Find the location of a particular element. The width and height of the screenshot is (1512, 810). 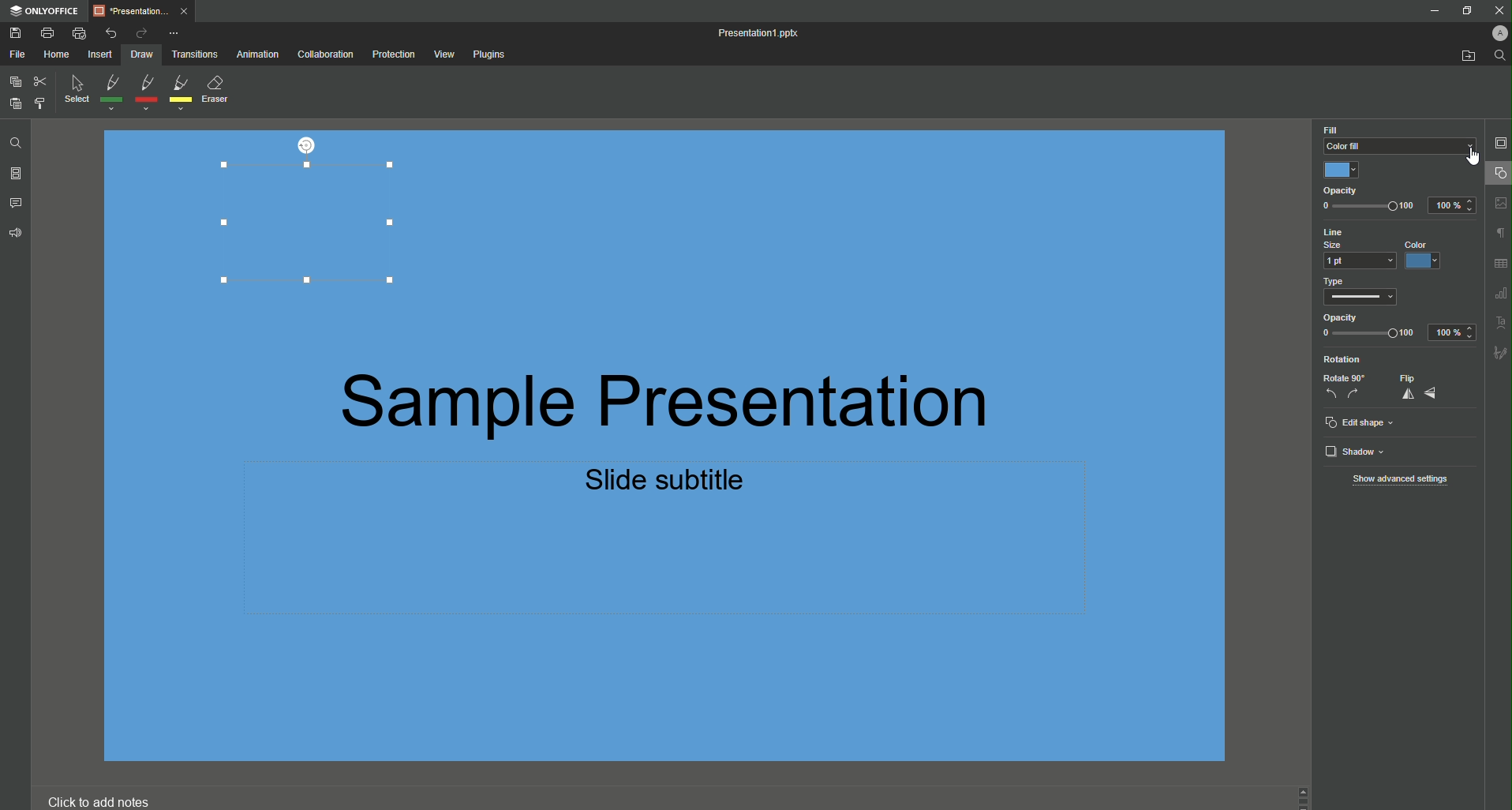

Type is located at coordinates (1361, 292).